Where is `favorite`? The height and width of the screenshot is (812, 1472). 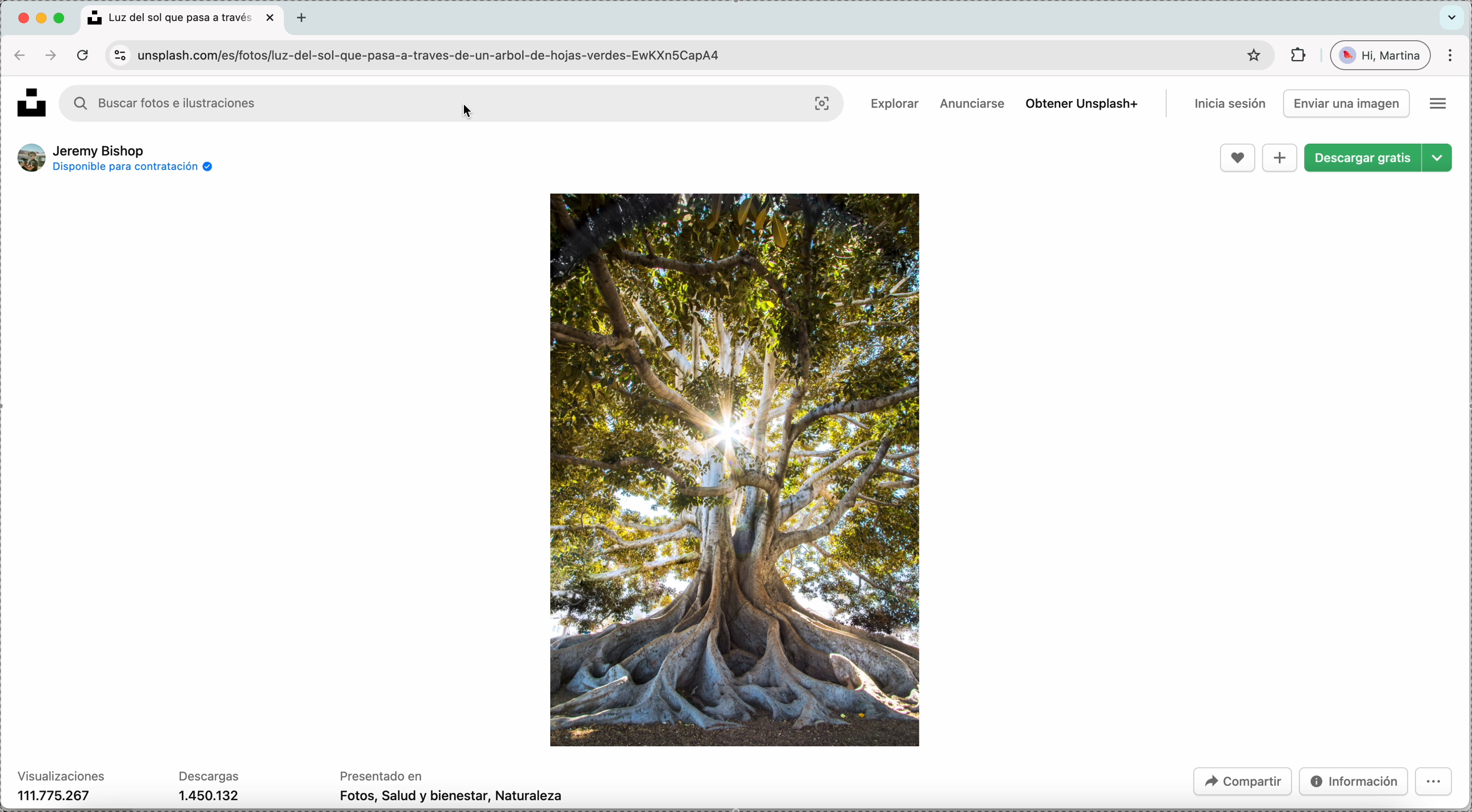 favorite is located at coordinates (1238, 158).